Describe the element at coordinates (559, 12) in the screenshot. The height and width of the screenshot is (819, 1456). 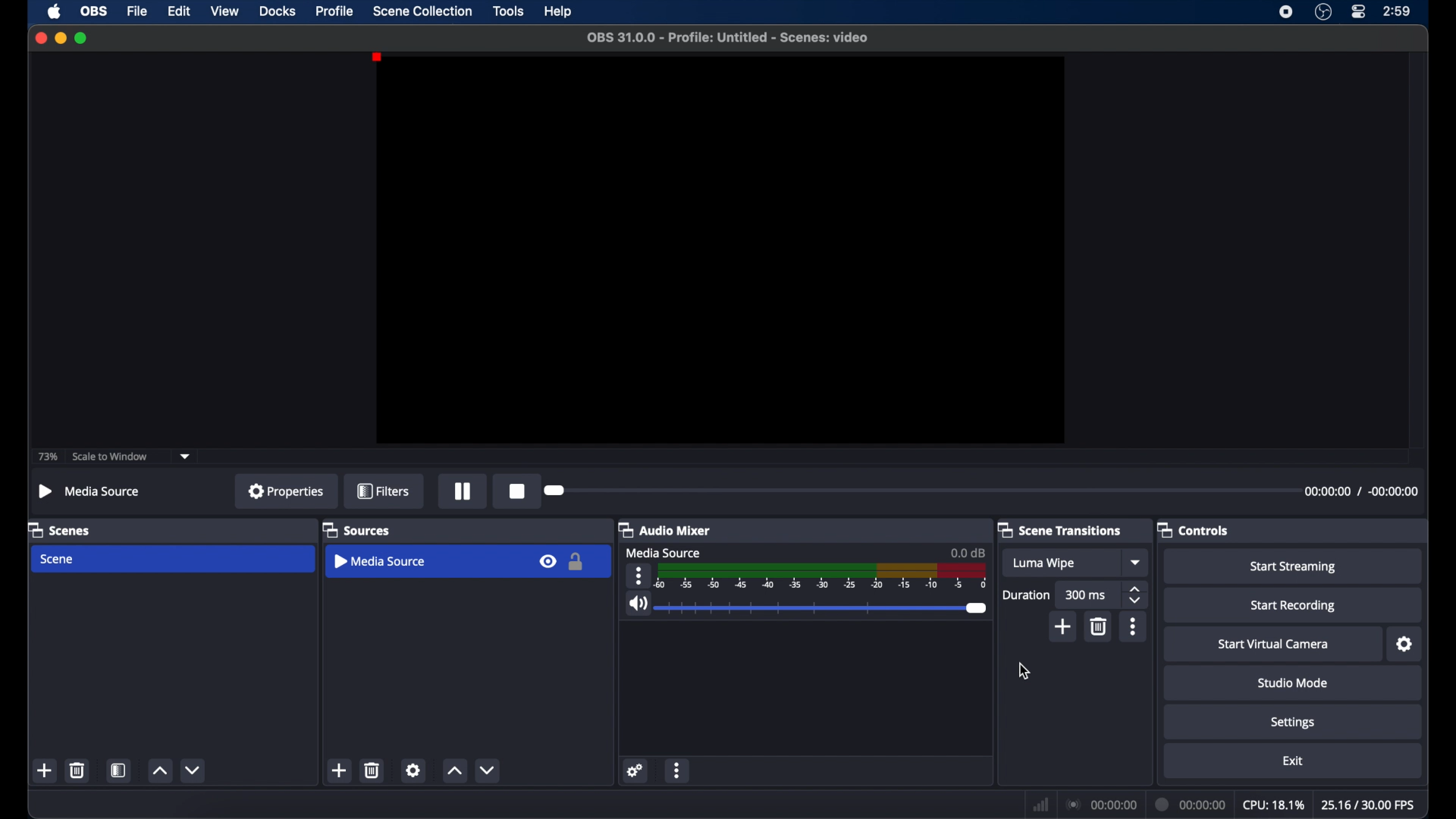
I see `help` at that location.